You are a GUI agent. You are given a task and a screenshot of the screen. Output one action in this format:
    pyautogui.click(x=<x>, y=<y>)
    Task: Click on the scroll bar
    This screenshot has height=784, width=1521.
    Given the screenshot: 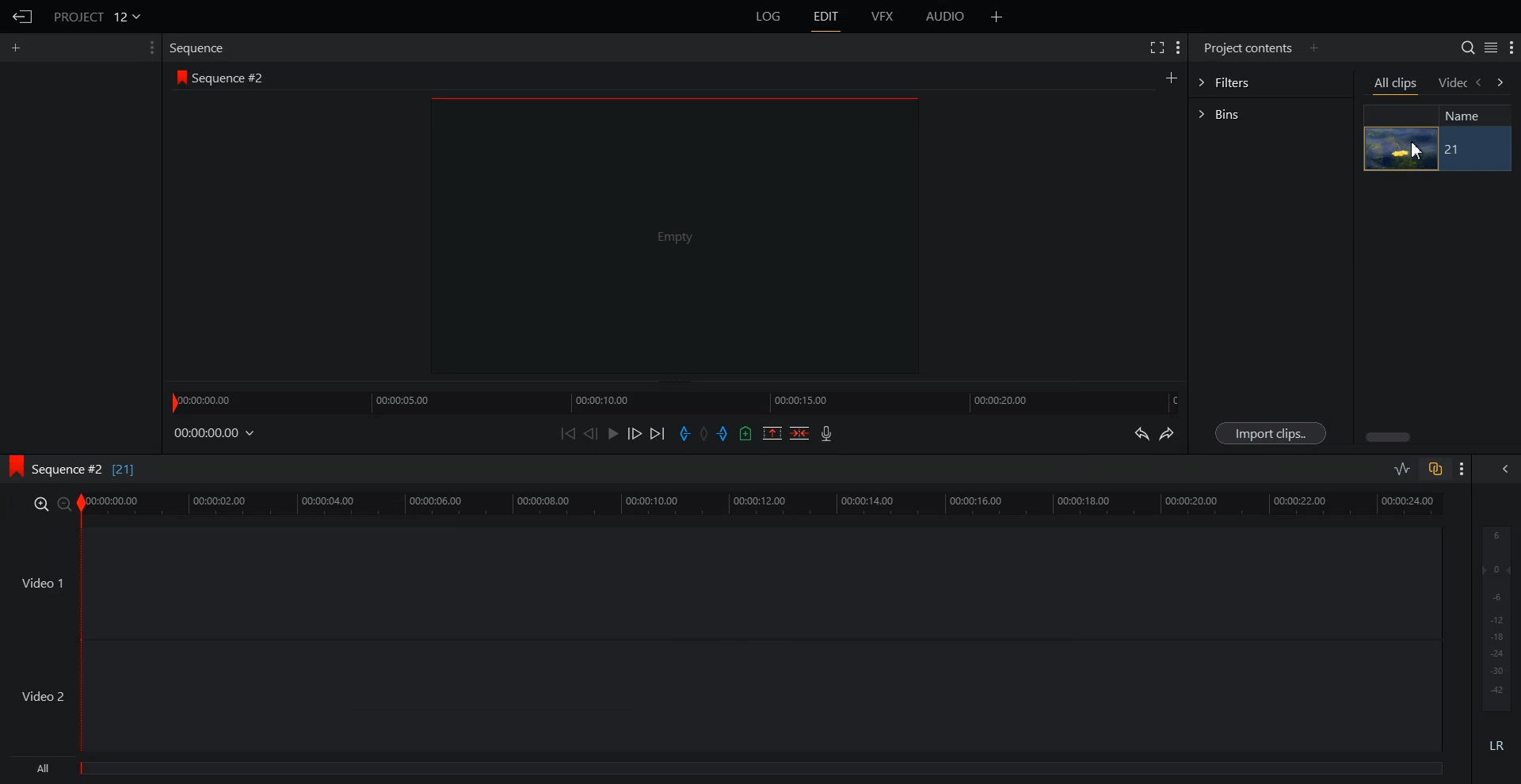 What is the action you would take?
    pyautogui.click(x=1389, y=436)
    